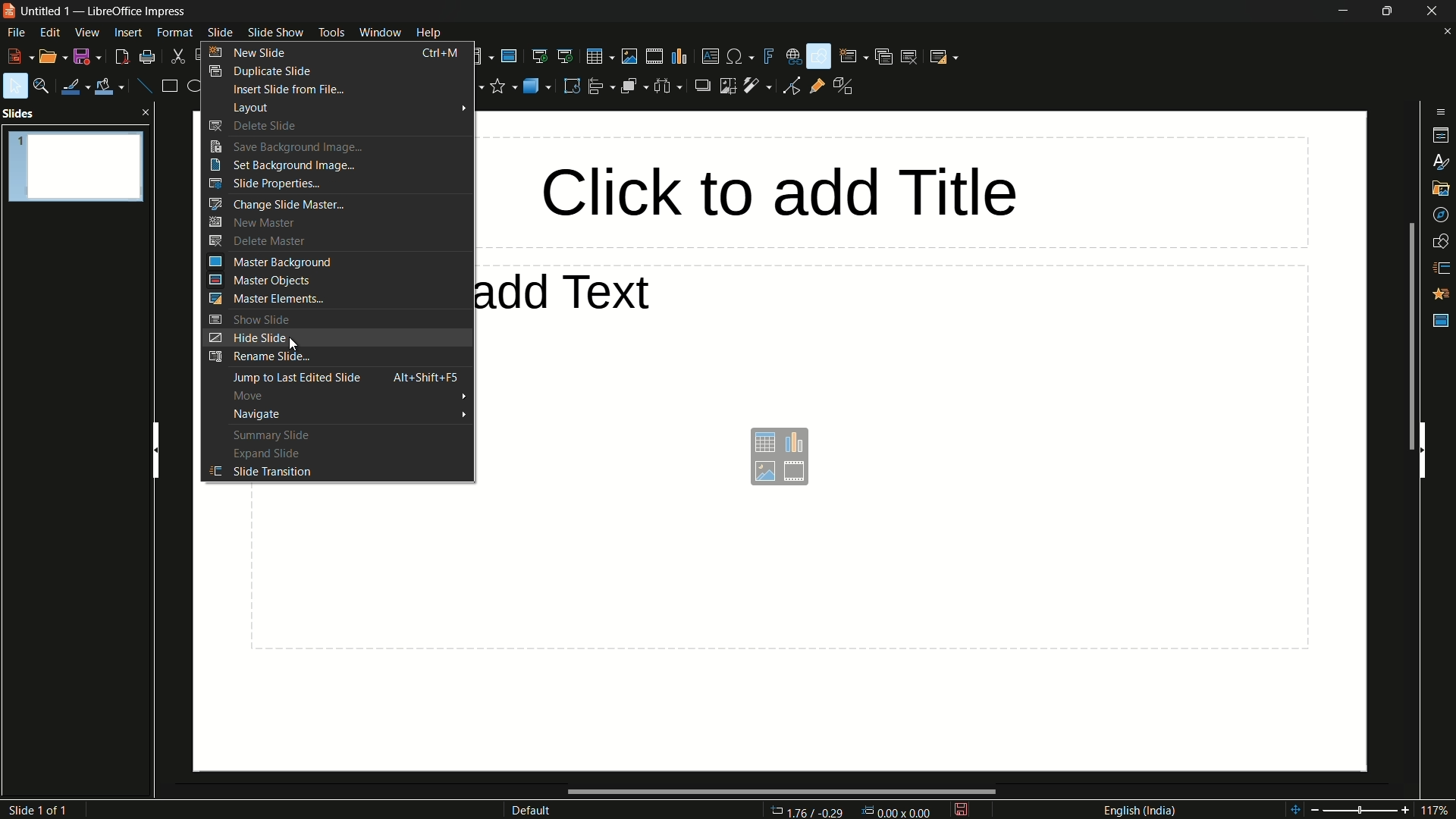 This screenshot has height=819, width=1456. Describe the element at coordinates (730, 87) in the screenshot. I see `crop image` at that location.